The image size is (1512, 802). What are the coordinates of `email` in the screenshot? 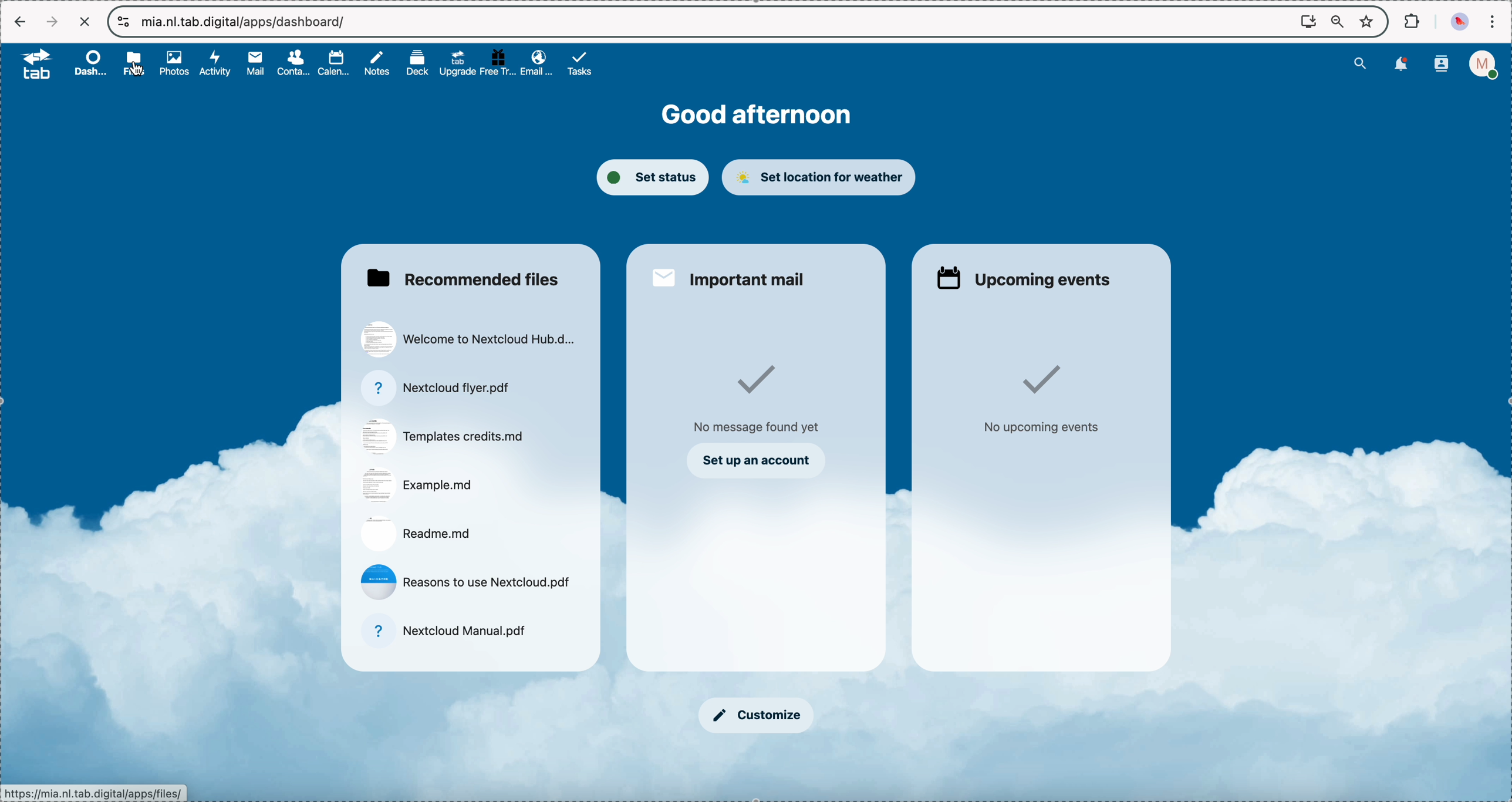 It's located at (536, 62).